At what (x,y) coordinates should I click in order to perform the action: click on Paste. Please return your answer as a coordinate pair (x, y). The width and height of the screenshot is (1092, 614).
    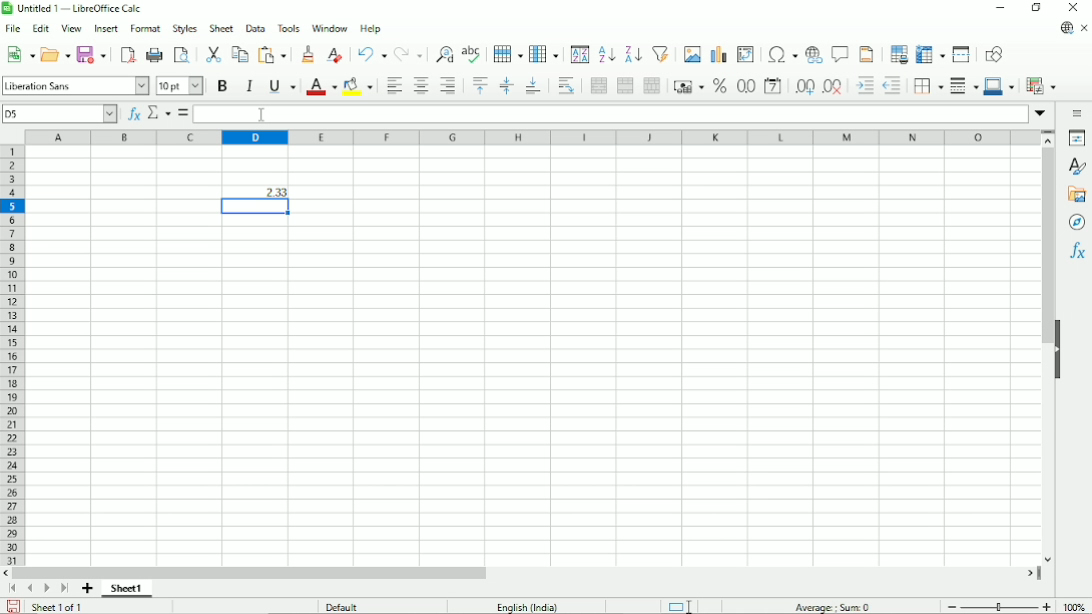
    Looking at the image, I should click on (272, 54).